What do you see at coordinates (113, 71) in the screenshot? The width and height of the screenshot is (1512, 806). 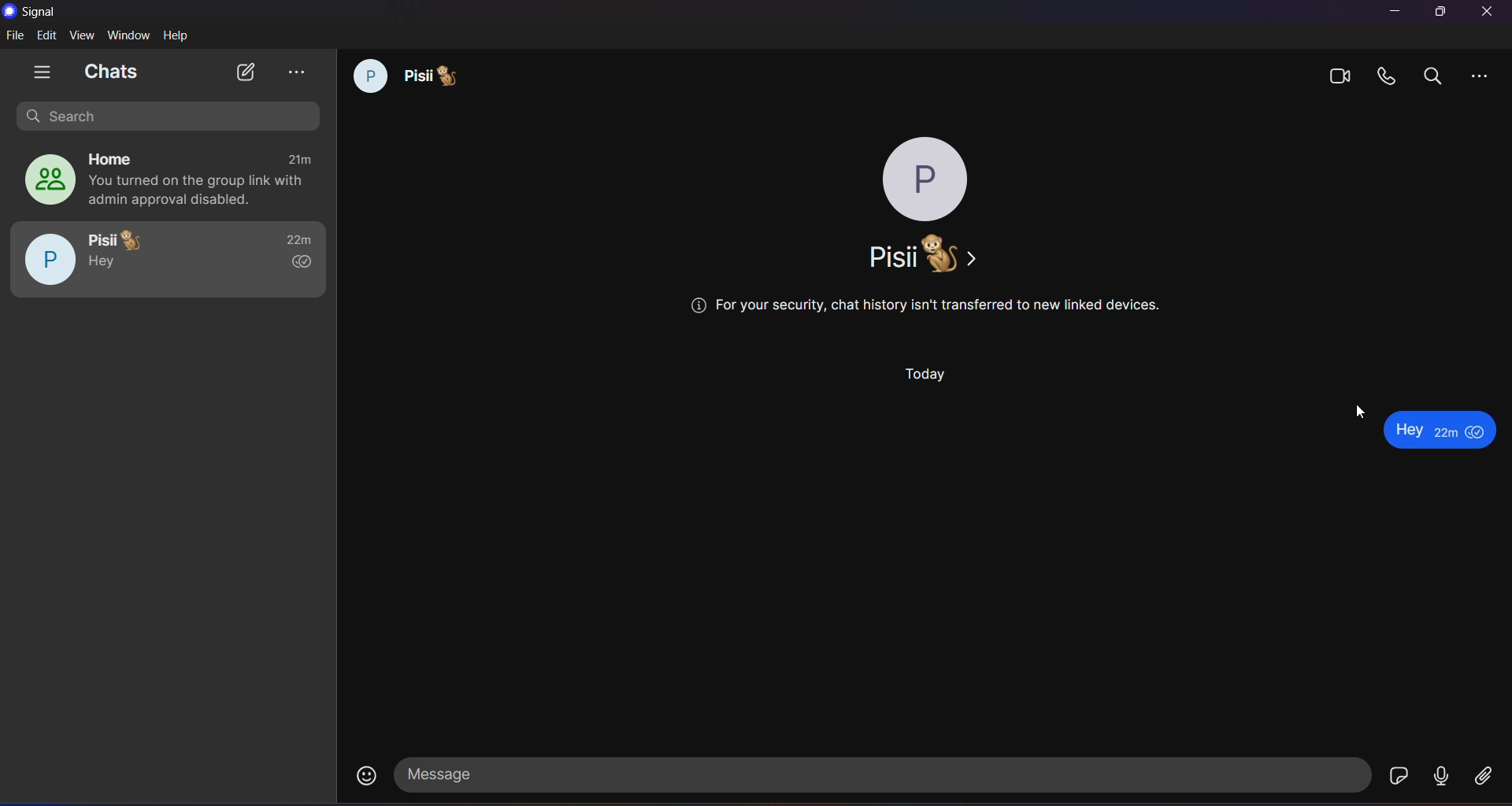 I see `chats` at bounding box center [113, 71].